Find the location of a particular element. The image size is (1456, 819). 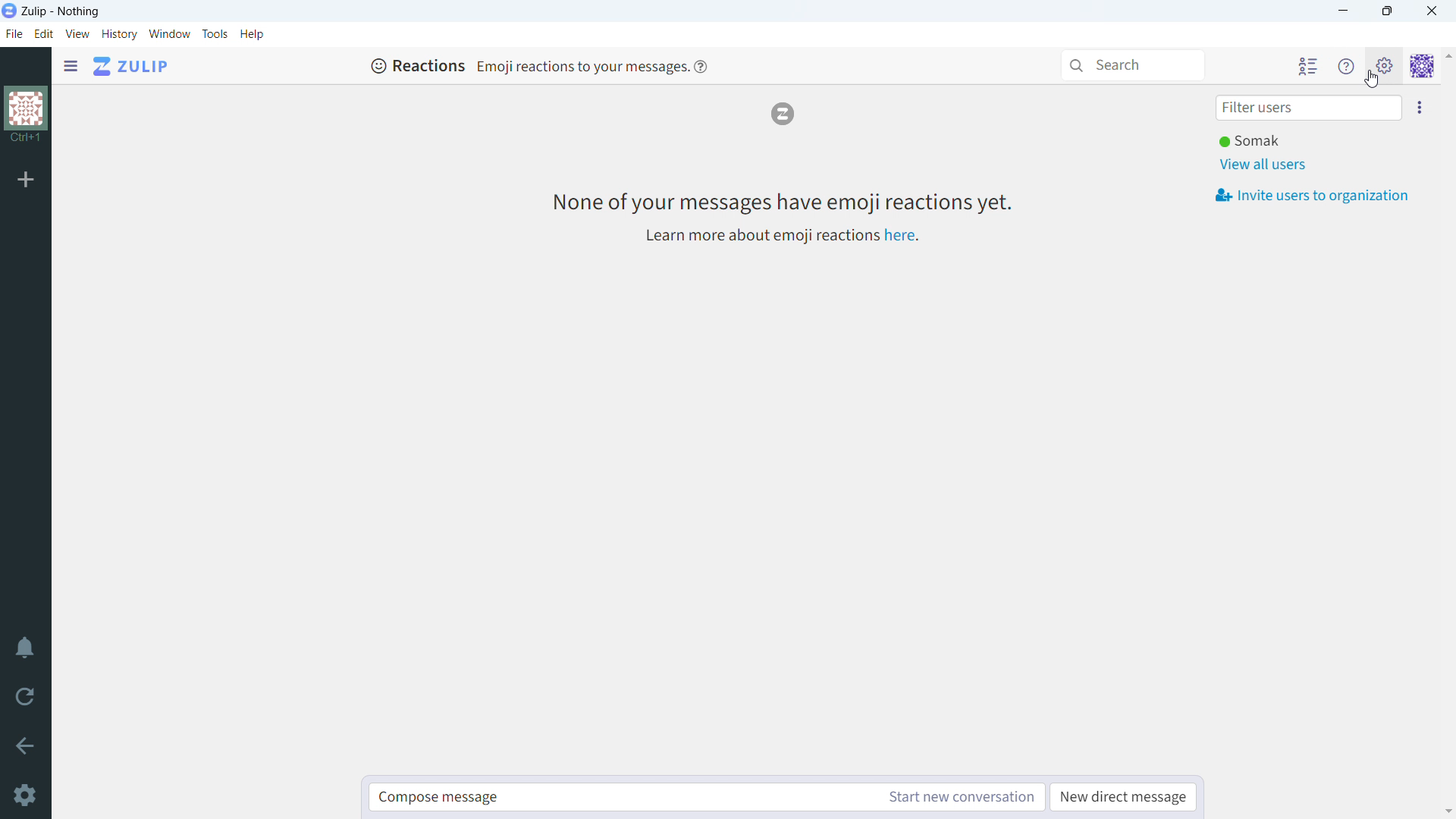

cursor is located at coordinates (1372, 80).